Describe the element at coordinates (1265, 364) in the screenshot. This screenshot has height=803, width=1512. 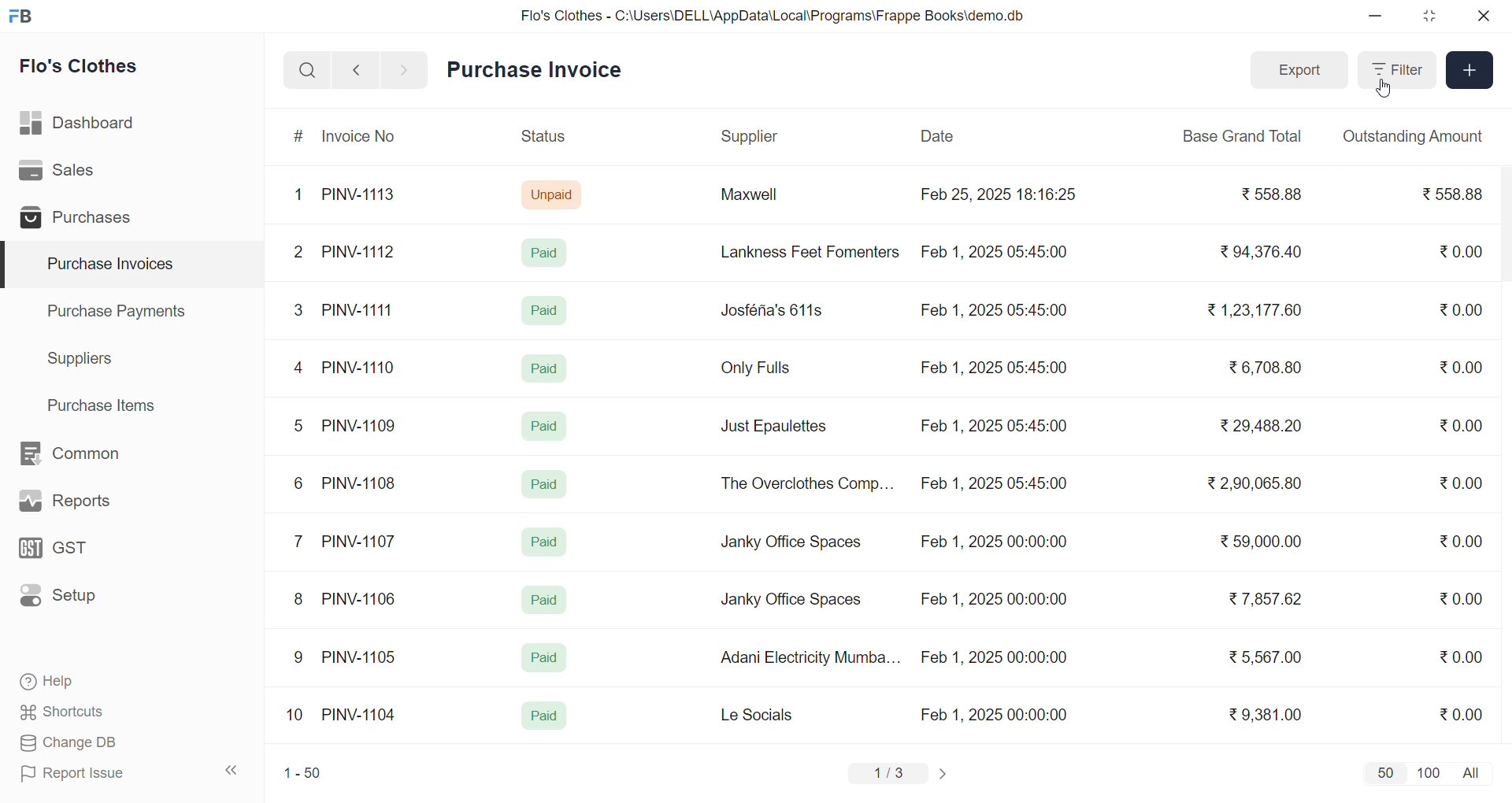
I see `₹6,708.80` at that location.